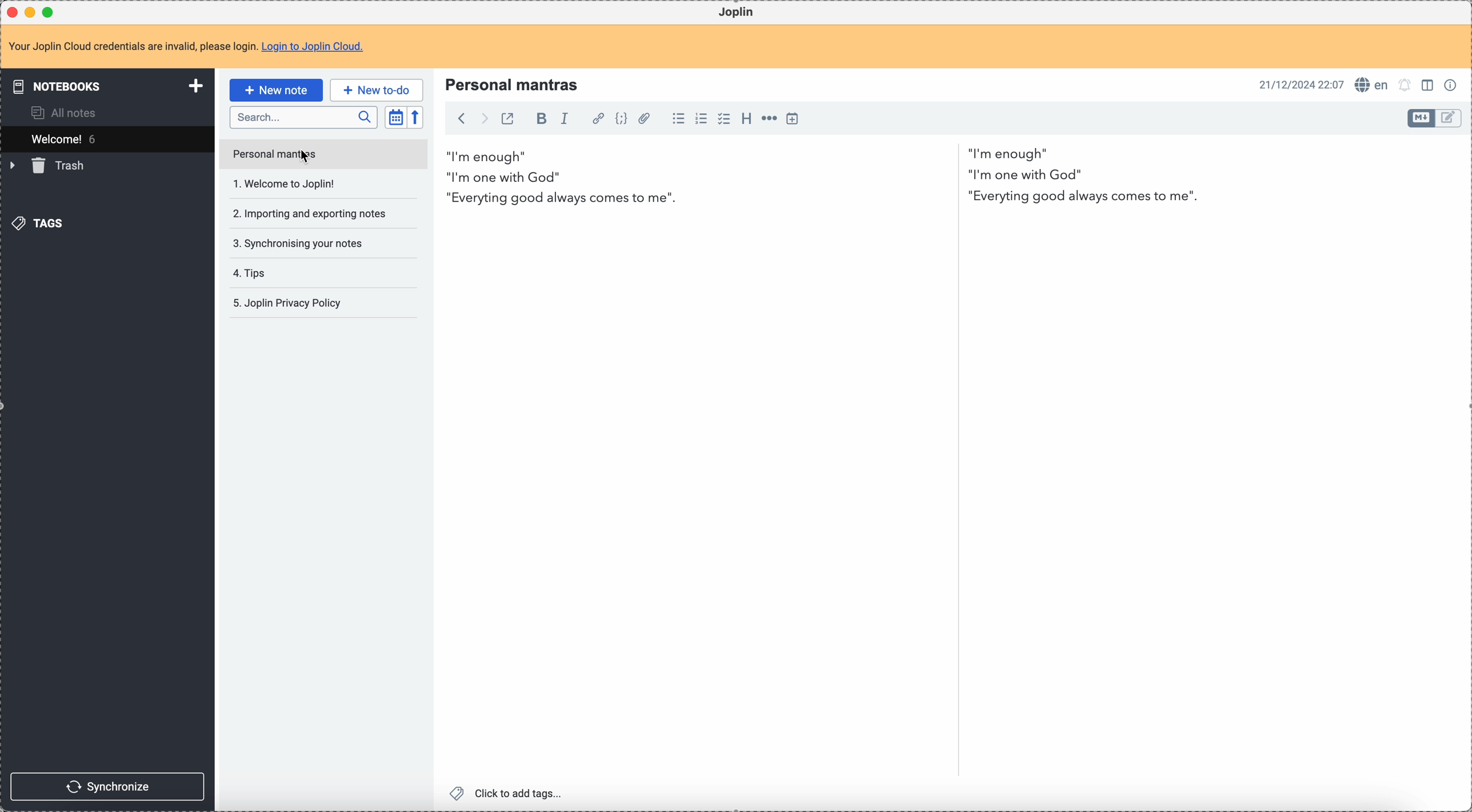  I want to click on maximize program, so click(49, 11).